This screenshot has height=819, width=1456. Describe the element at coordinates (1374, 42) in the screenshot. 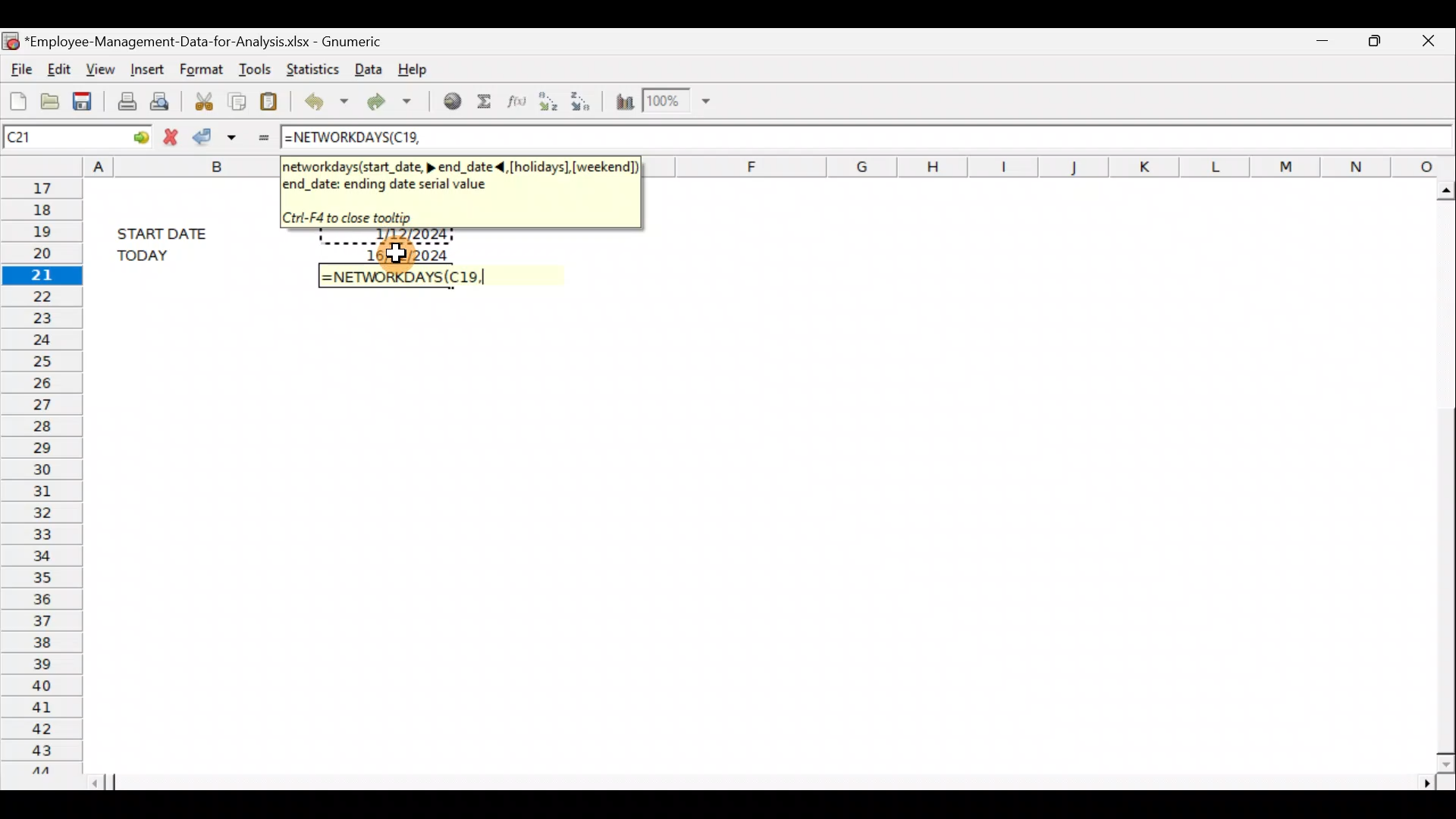

I see `Maximize` at that location.